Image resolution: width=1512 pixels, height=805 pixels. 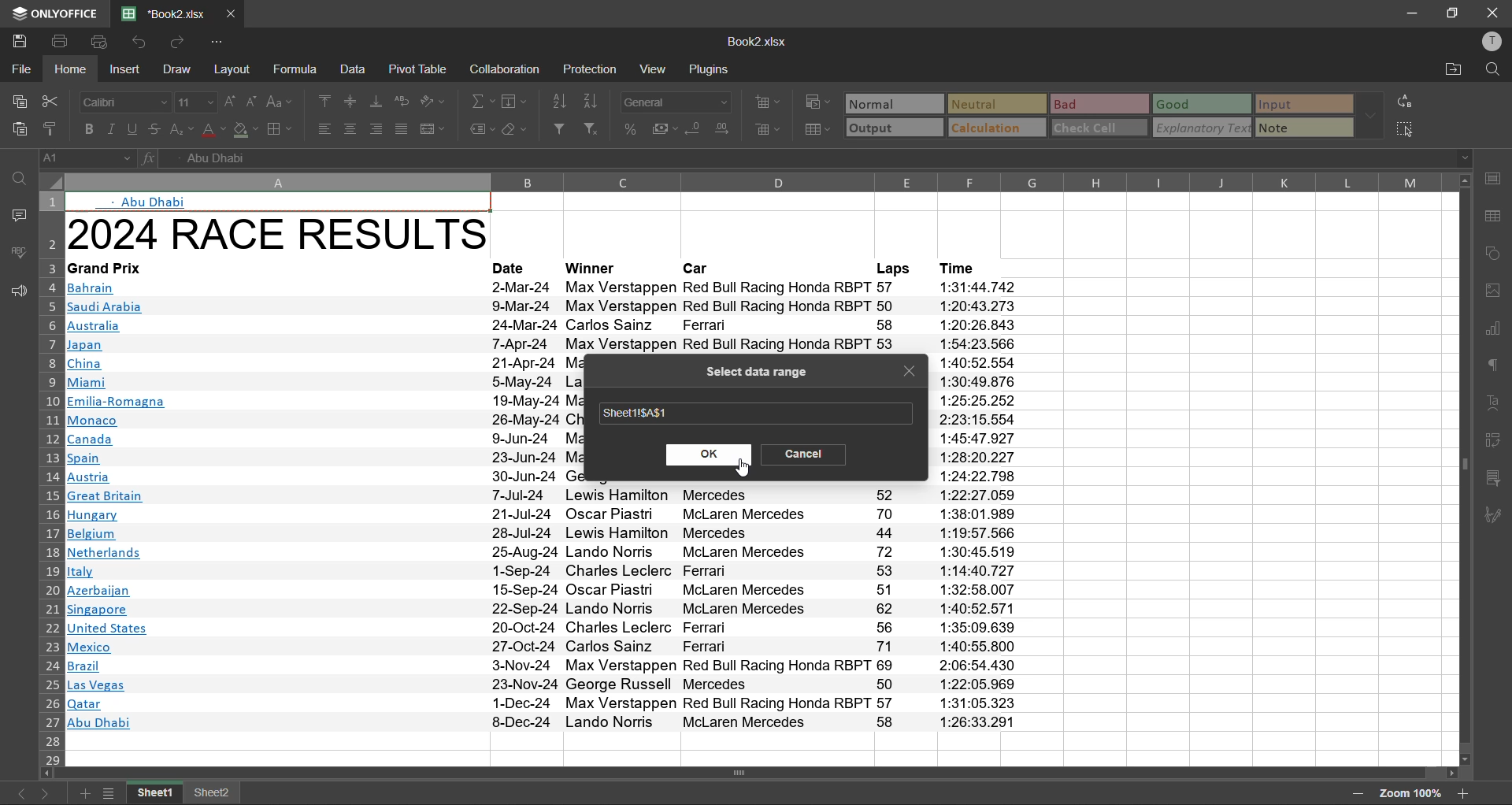 I want to click on table, so click(x=1492, y=216).